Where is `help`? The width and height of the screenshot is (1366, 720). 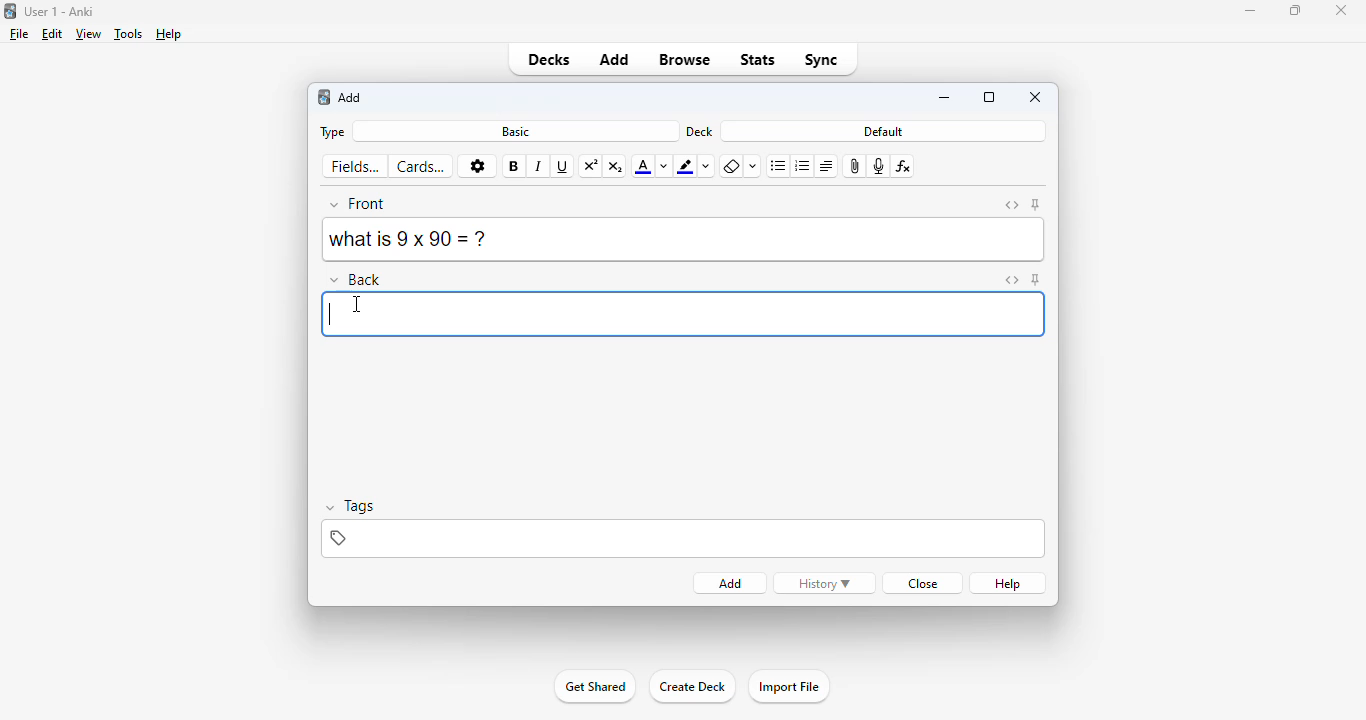
help is located at coordinates (169, 34).